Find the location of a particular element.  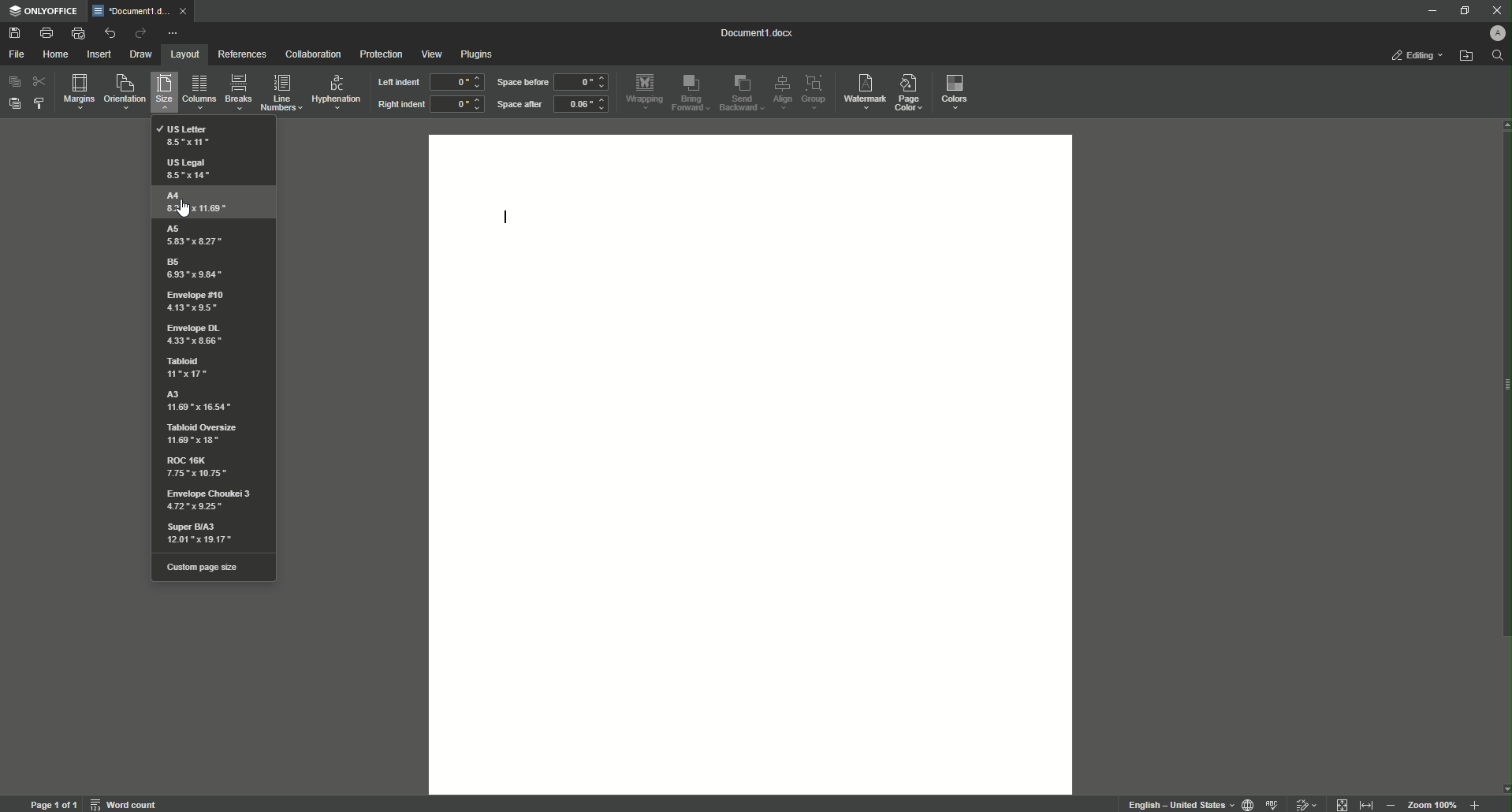

Choose styles is located at coordinates (41, 105).